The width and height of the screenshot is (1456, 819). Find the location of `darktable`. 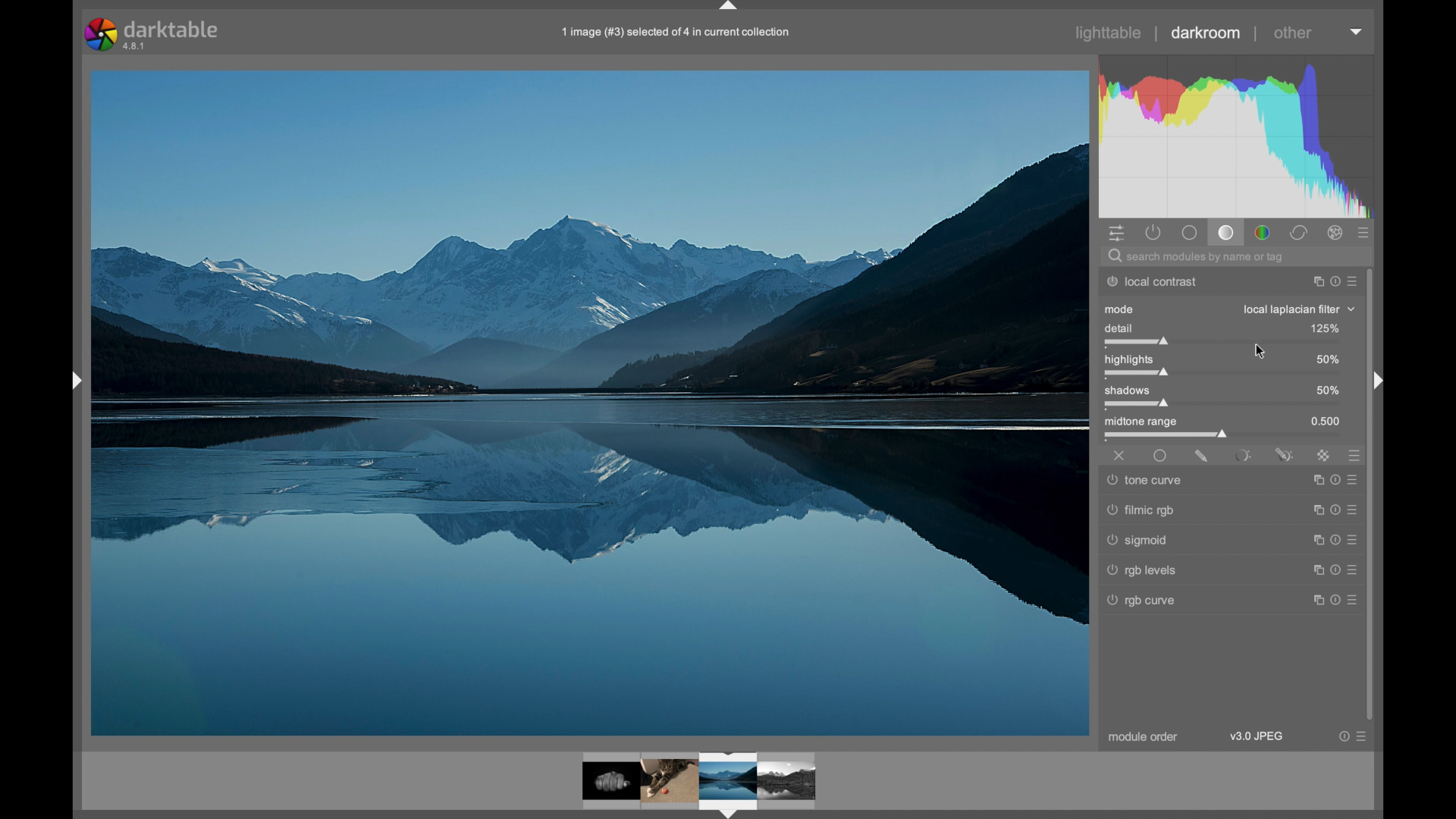

darktable is located at coordinates (154, 34).